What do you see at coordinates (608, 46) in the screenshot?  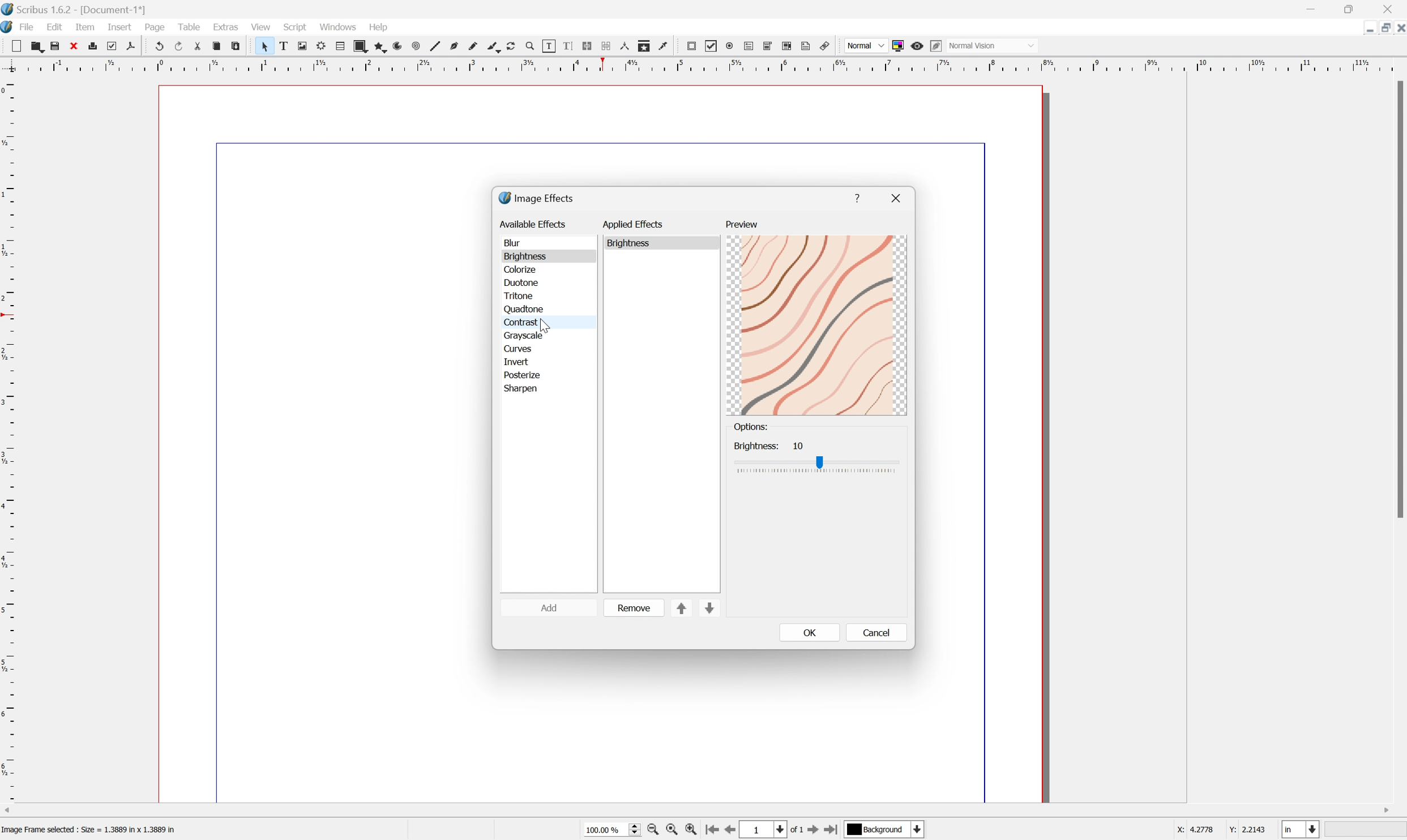 I see `Unlink text frames` at bounding box center [608, 46].